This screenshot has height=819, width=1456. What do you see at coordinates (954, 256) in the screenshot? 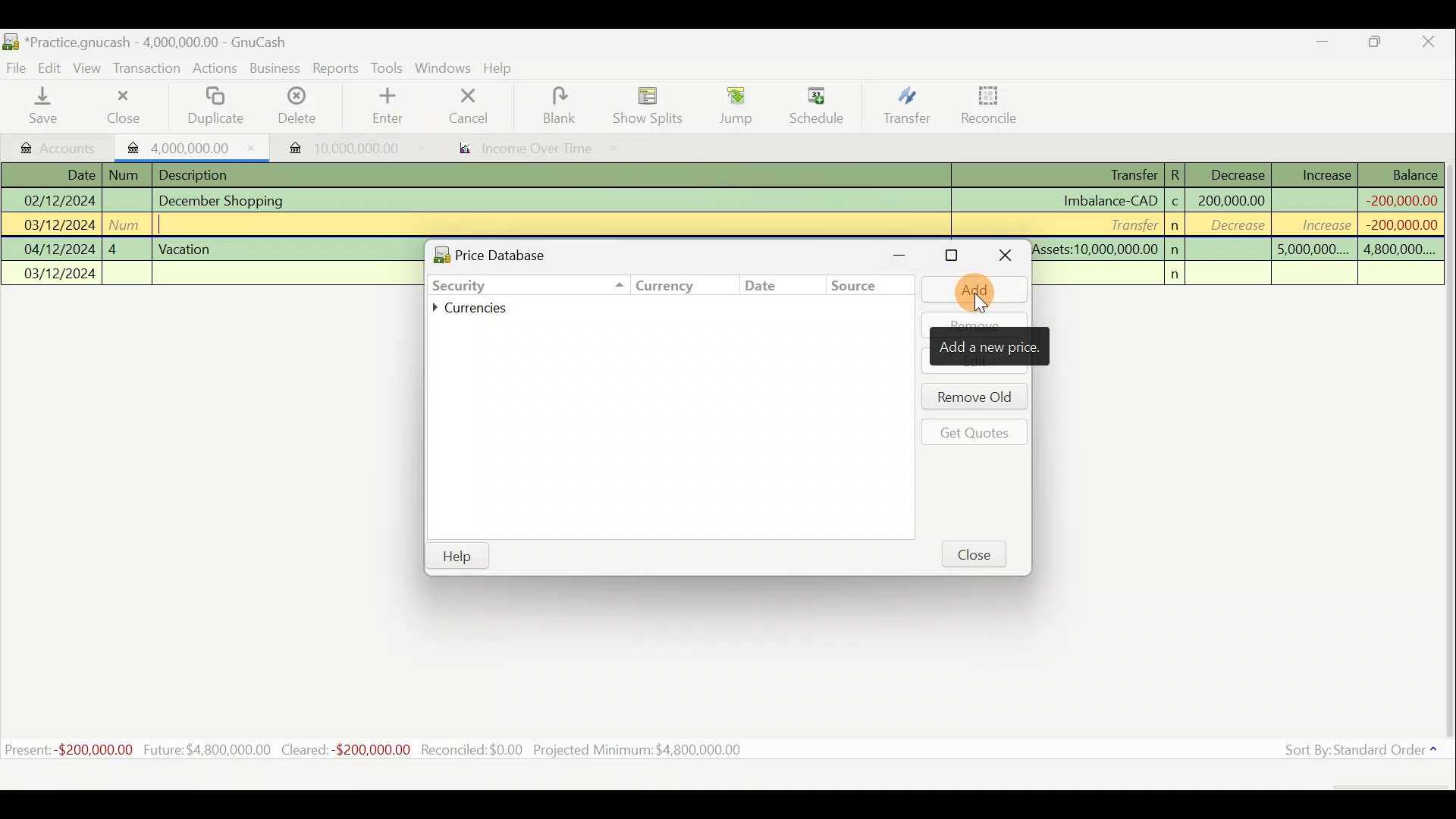
I see `Maximise` at bounding box center [954, 256].